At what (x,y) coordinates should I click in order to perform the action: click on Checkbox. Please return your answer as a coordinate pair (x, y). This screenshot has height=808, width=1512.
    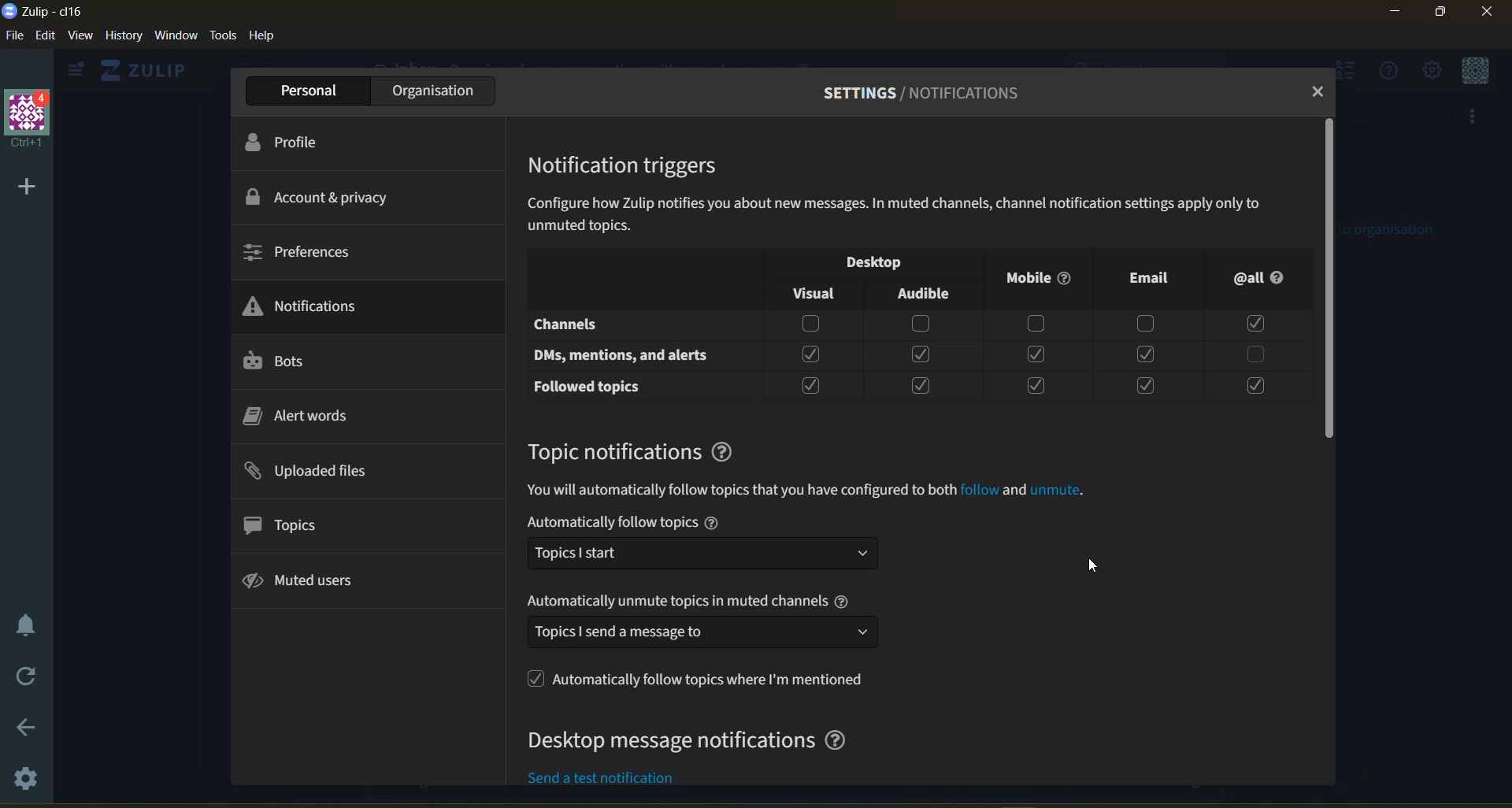
    Looking at the image, I should click on (1040, 326).